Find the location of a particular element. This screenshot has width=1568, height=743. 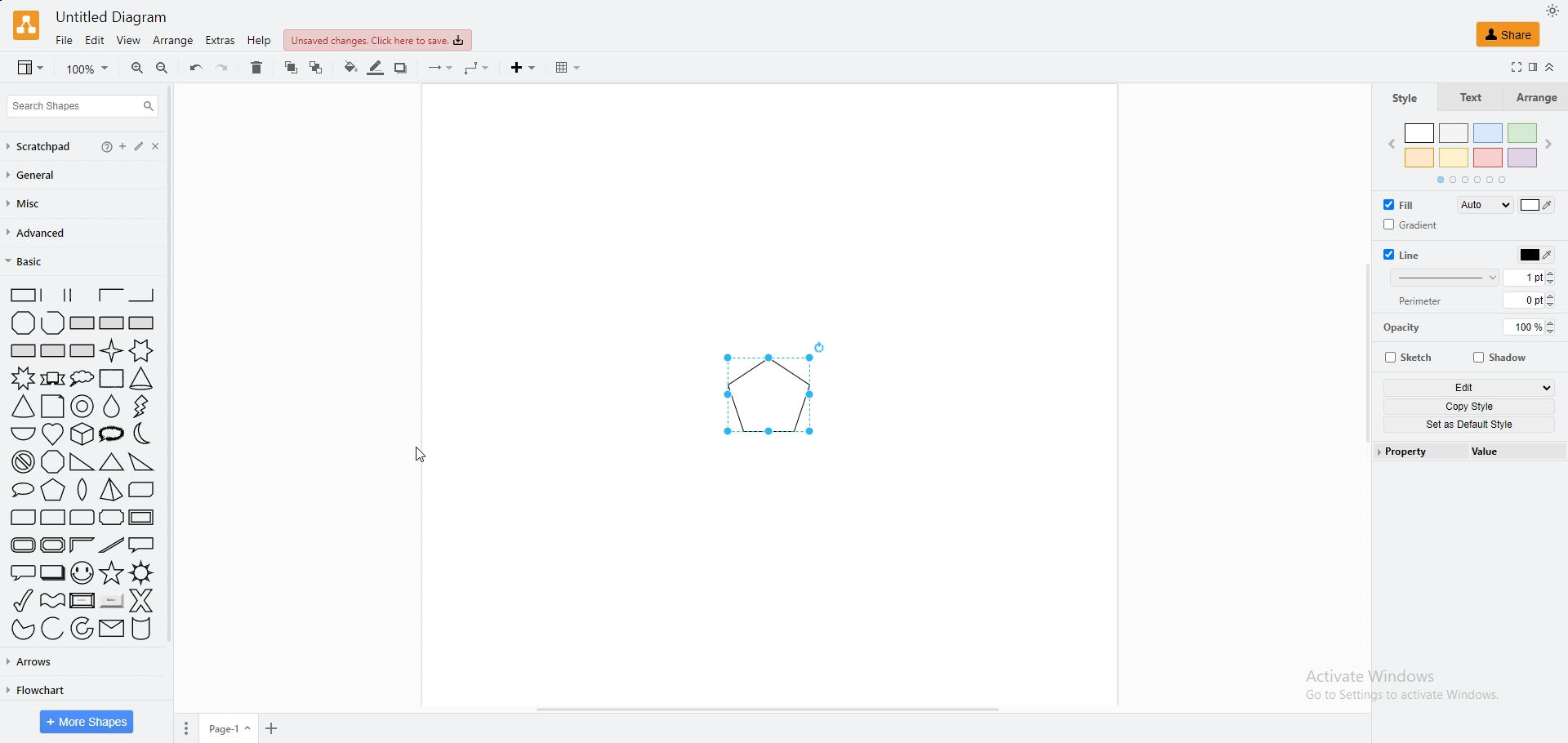

arrow is located at coordinates (440, 69).